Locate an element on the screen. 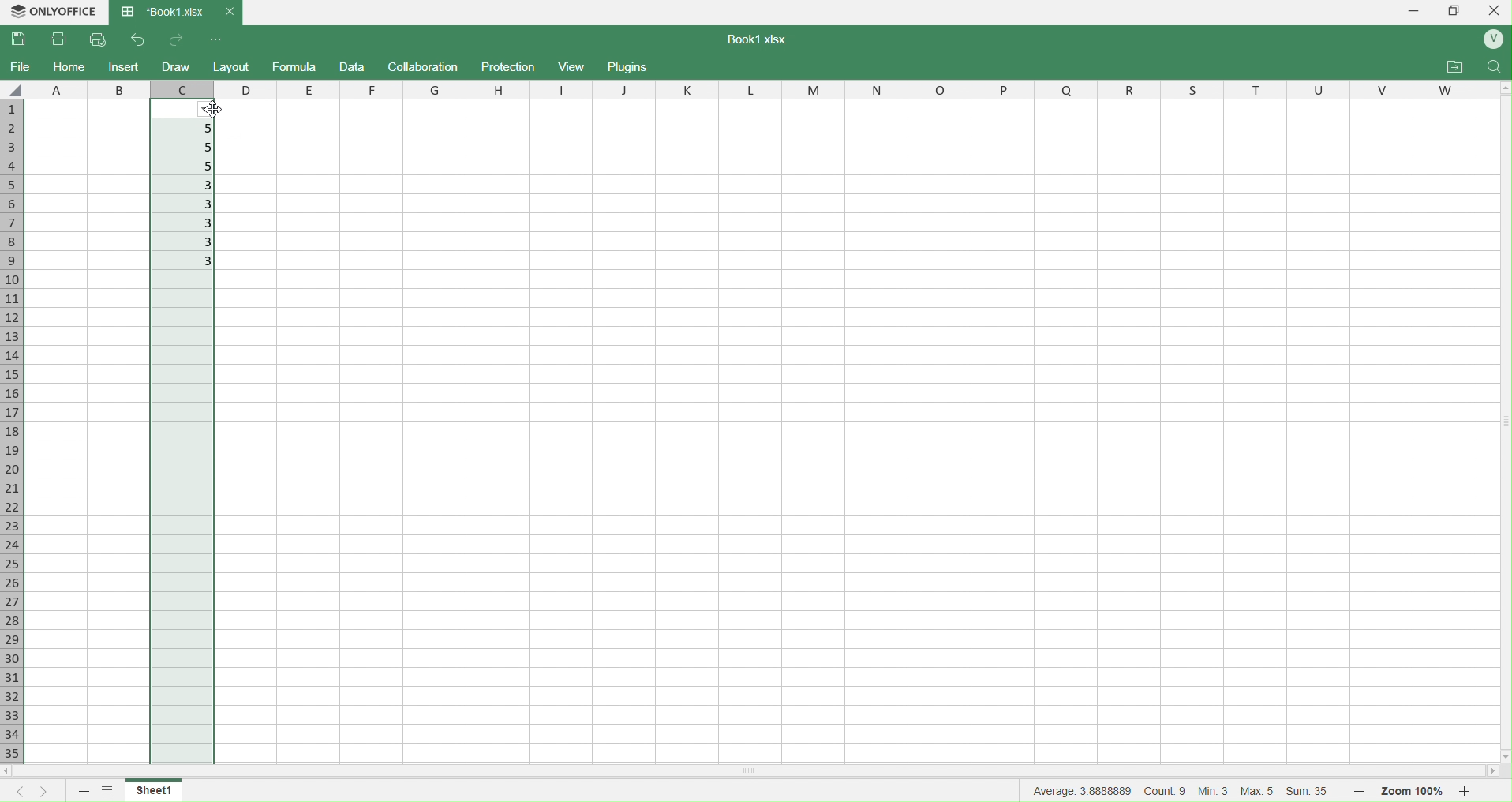 Image resolution: width=1512 pixels, height=802 pixels. Find is located at coordinates (1492, 68).